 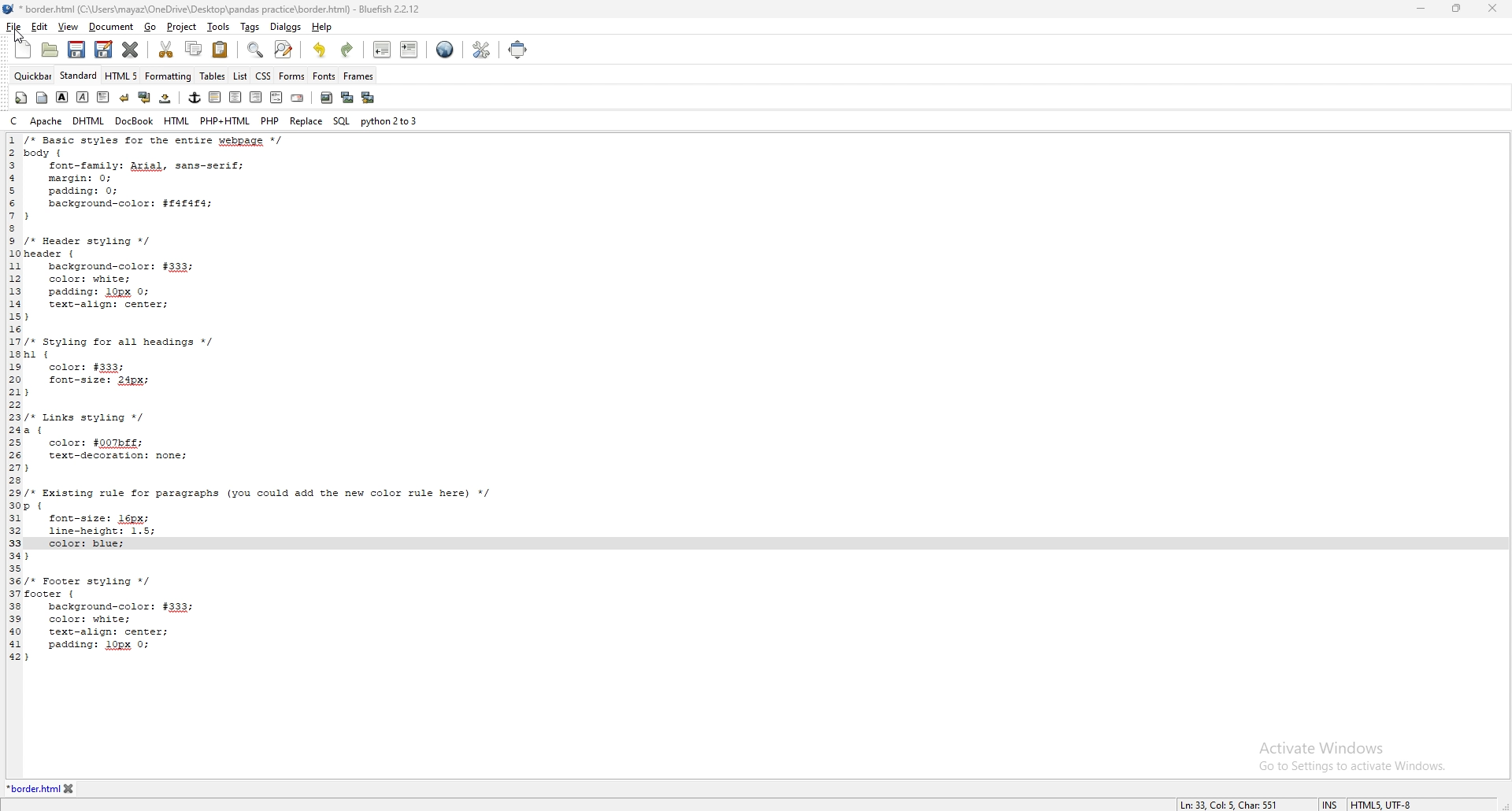 I want to click on cursor, so click(x=15, y=35).